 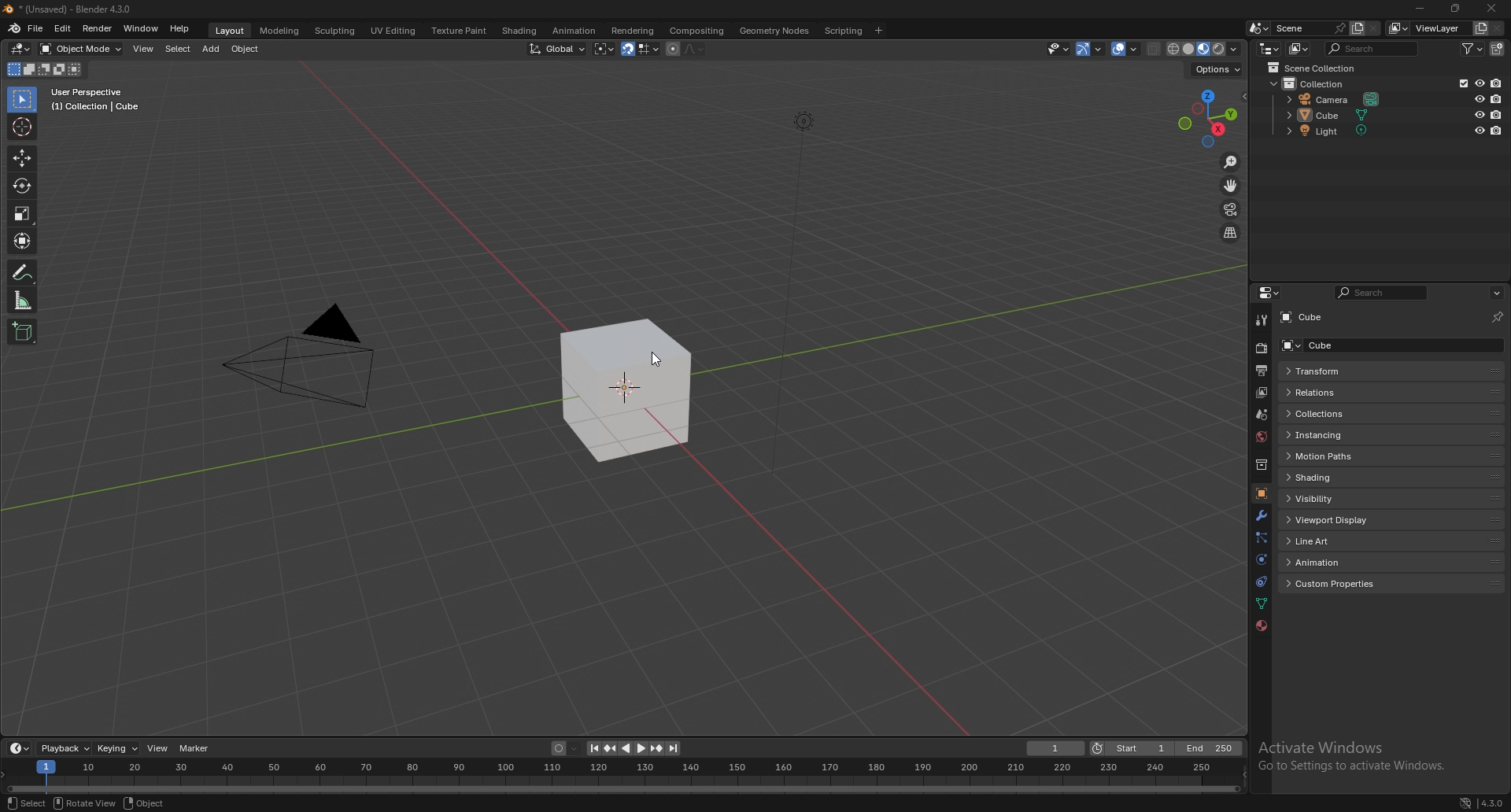 What do you see at coordinates (1260, 494) in the screenshot?
I see `object` at bounding box center [1260, 494].